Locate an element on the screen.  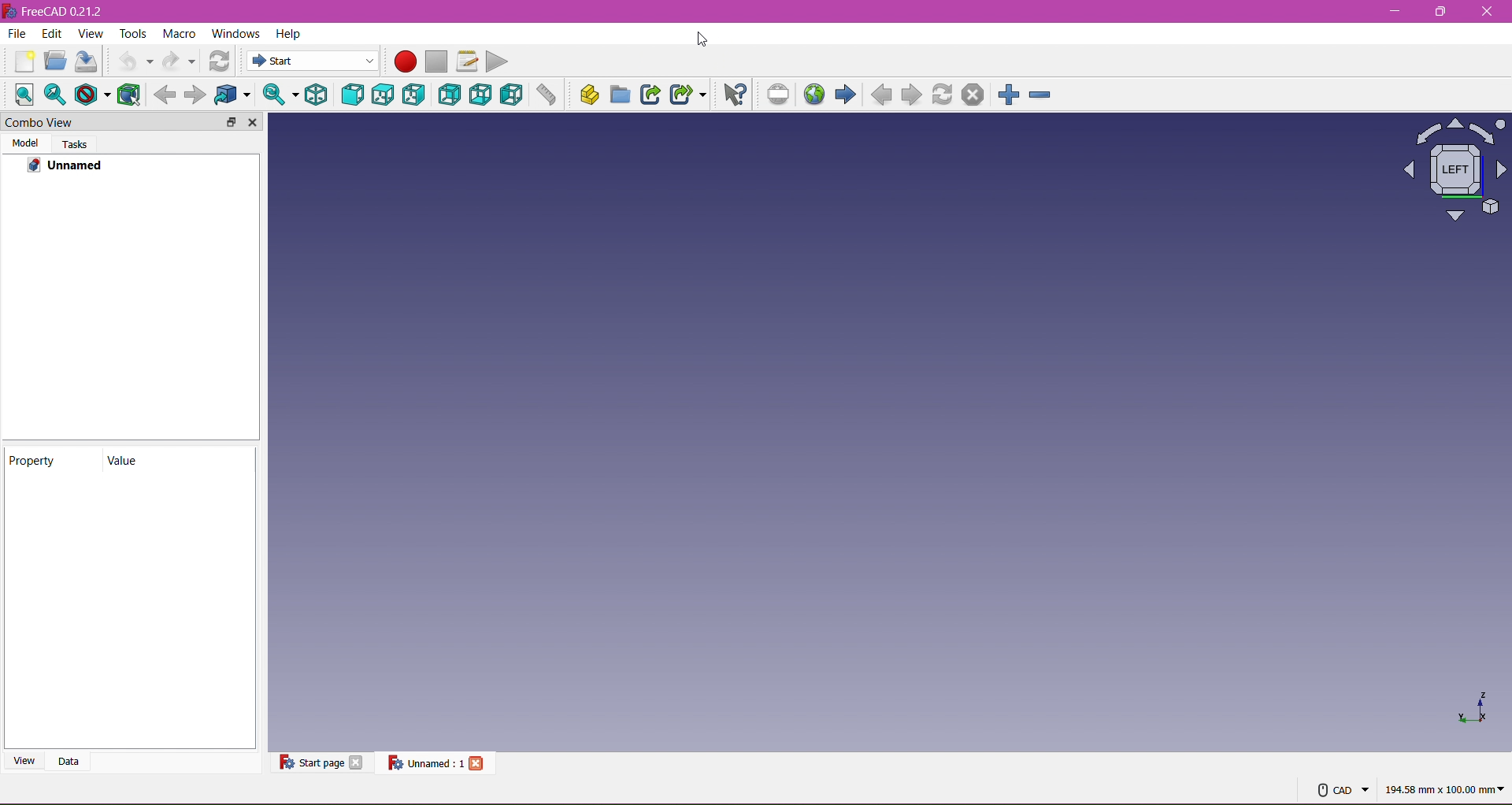
194.58 mm x 100.00 mi is located at coordinates (1444, 785).